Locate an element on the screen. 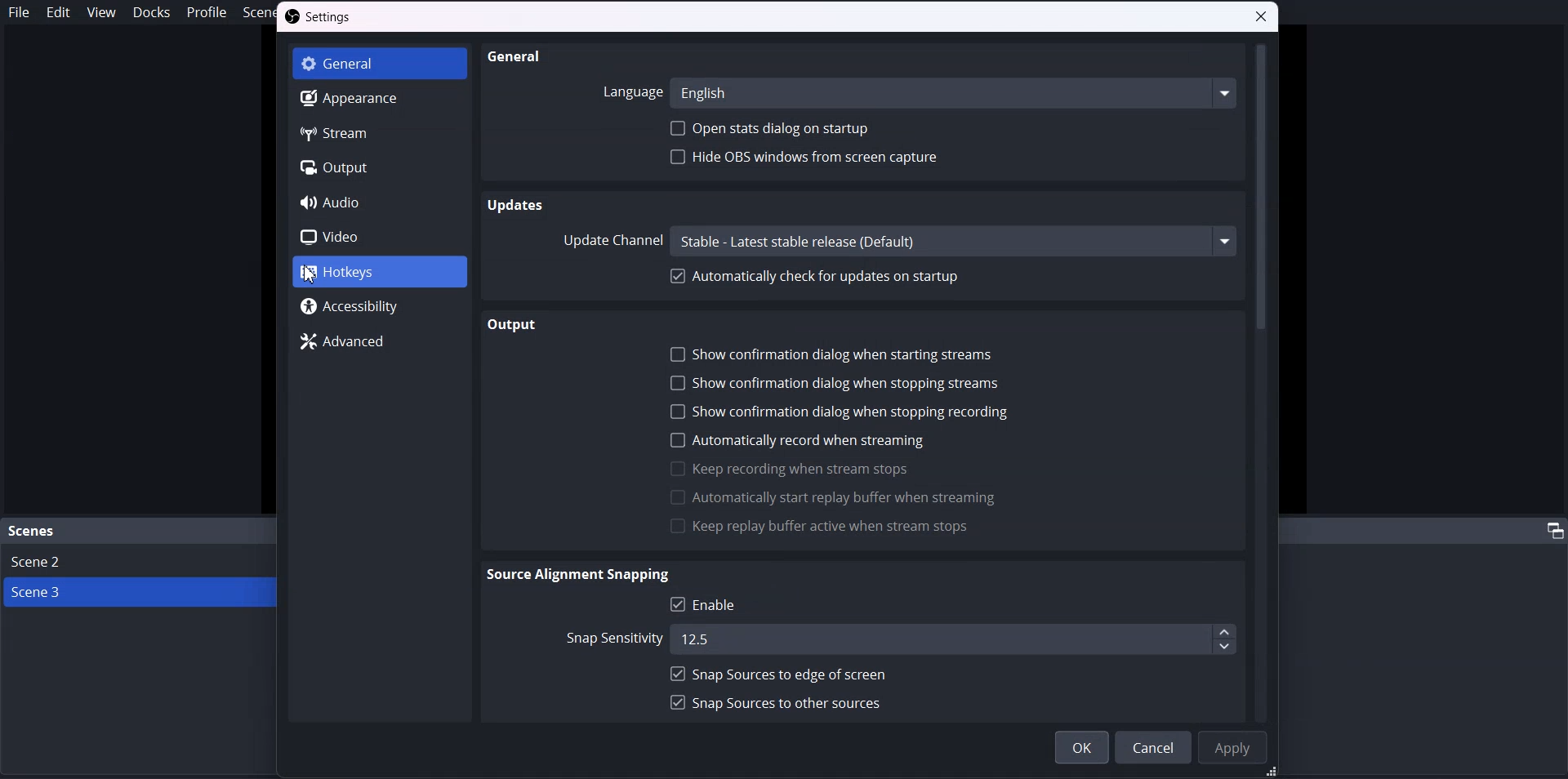 The image size is (1568, 779). Open Stats dialog on startup is located at coordinates (768, 128).